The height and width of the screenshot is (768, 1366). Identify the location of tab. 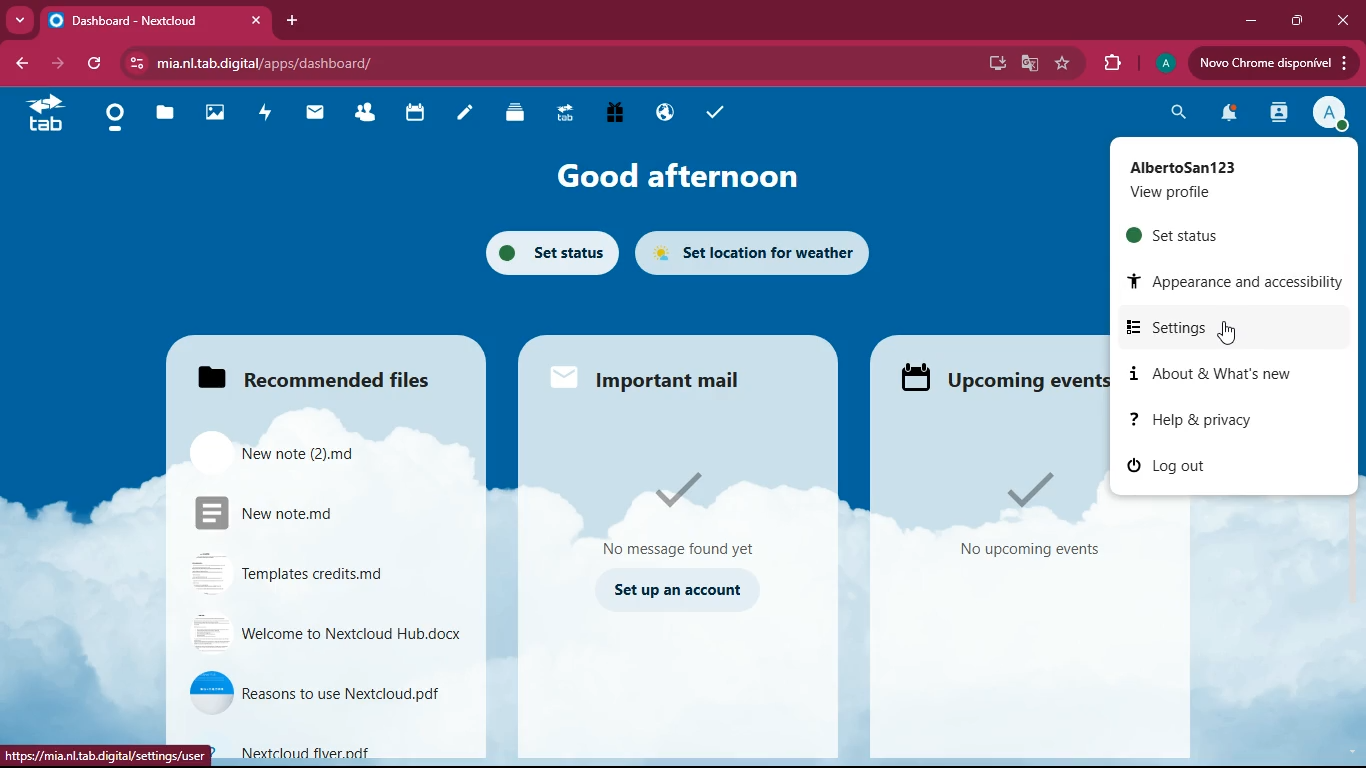
(563, 116).